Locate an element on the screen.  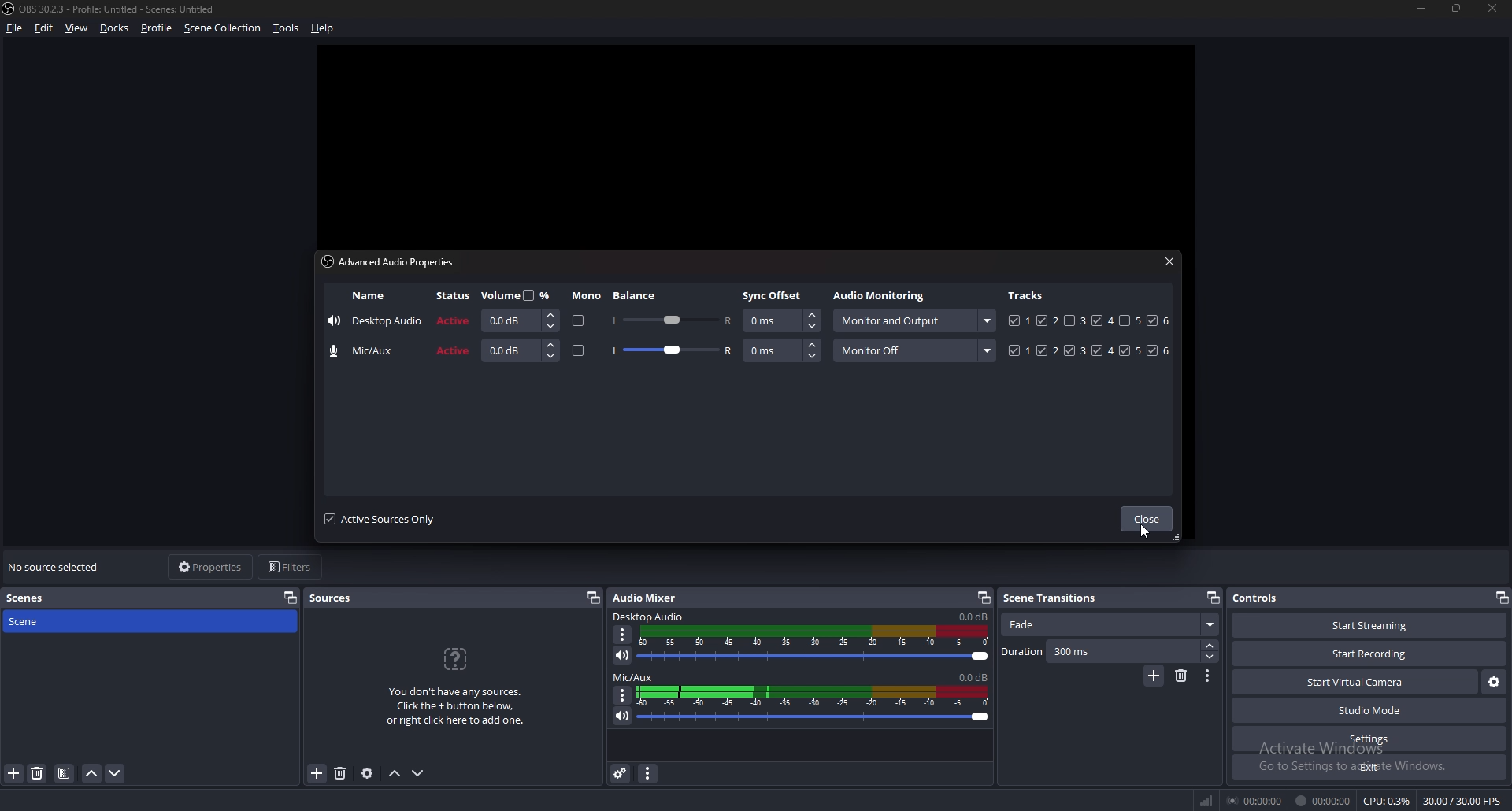
desktop audio is located at coordinates (375, 323).